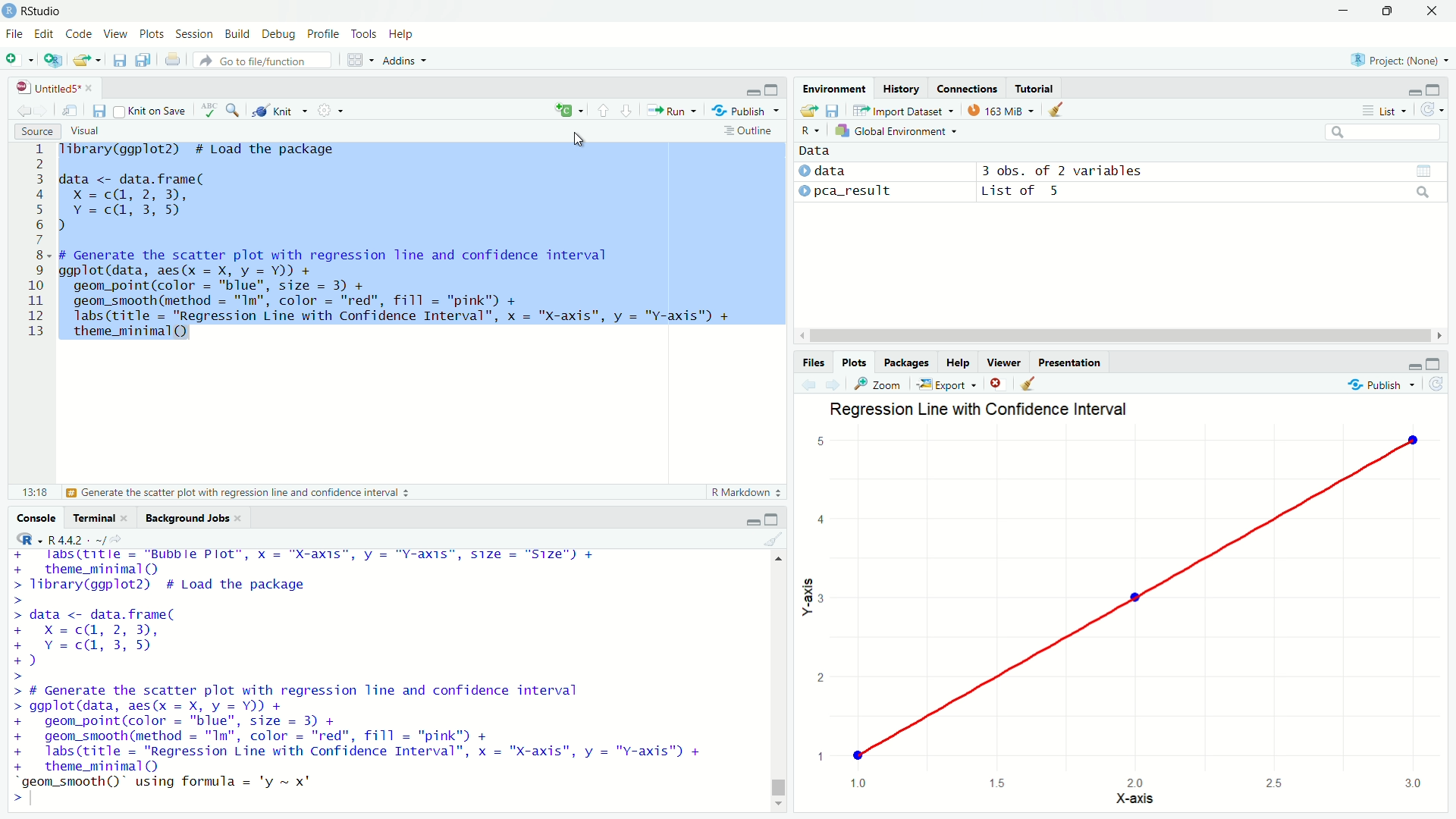 This screenshot has height=819, width=1456. What do you see at coordinates (44, 33) in the screenshot?
I see `Edit` at bounding box center [44, 33].